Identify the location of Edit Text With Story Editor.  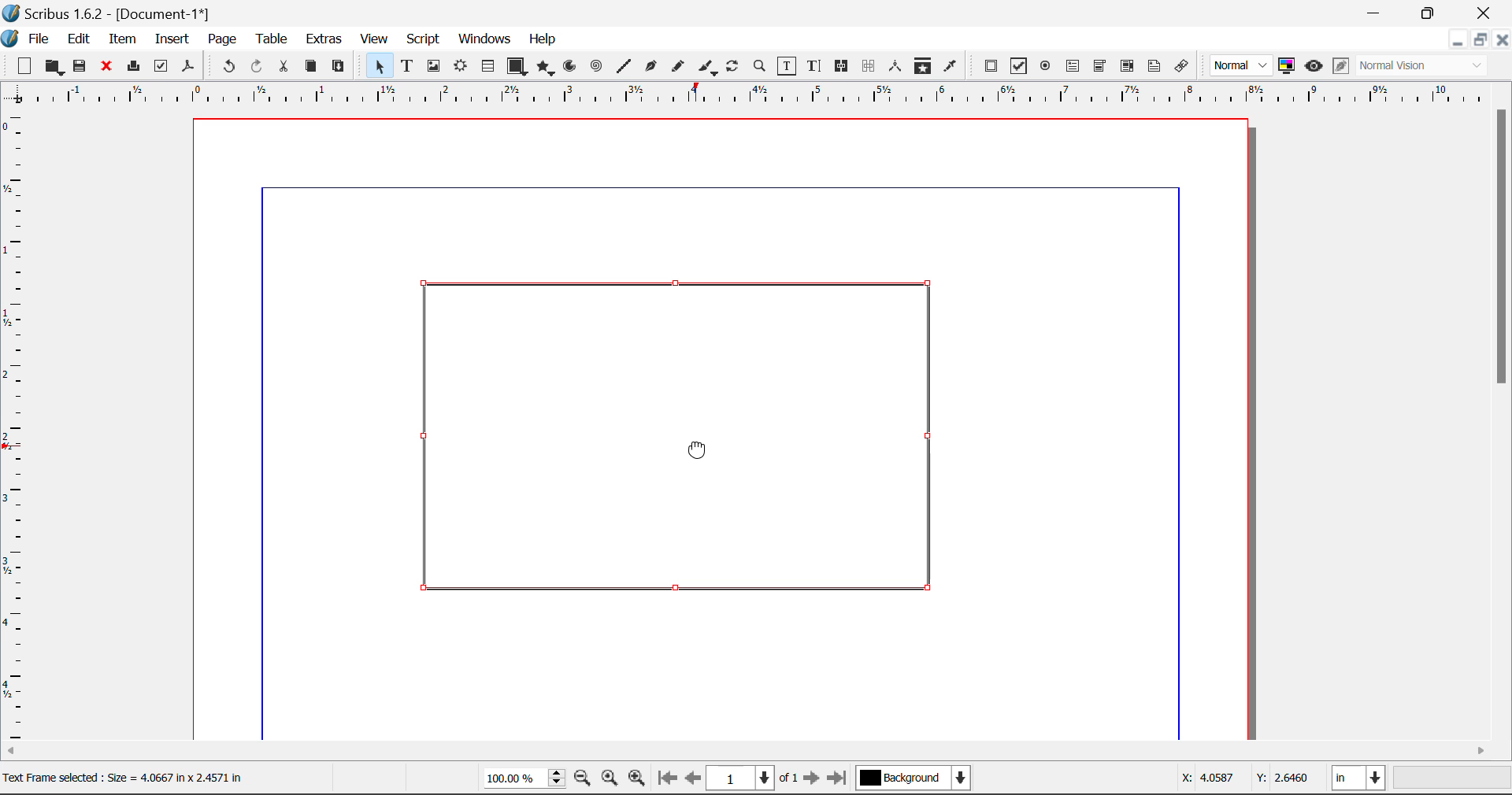
(813, 67).